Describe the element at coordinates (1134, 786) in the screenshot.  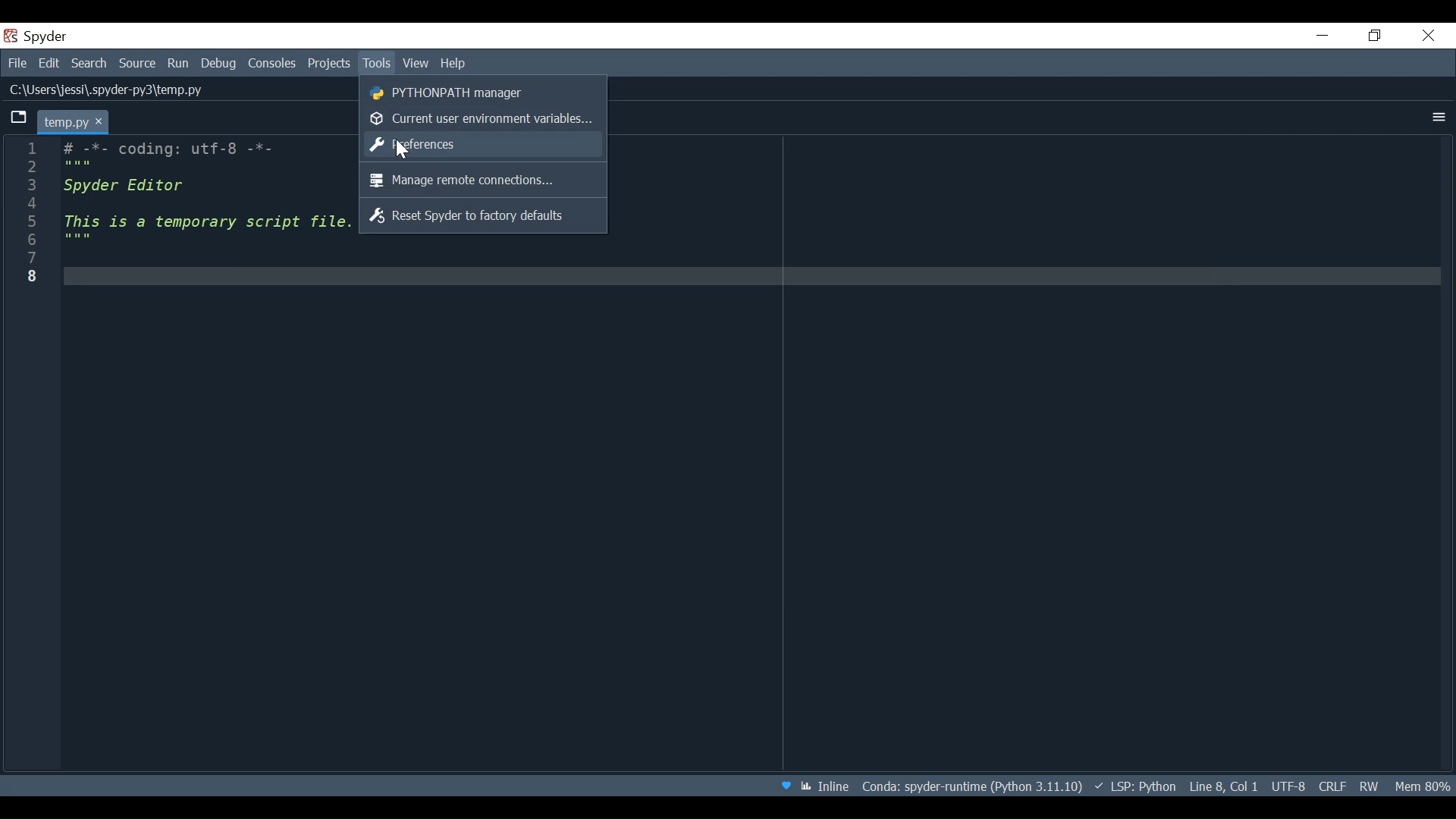
I see `Language` at that location.